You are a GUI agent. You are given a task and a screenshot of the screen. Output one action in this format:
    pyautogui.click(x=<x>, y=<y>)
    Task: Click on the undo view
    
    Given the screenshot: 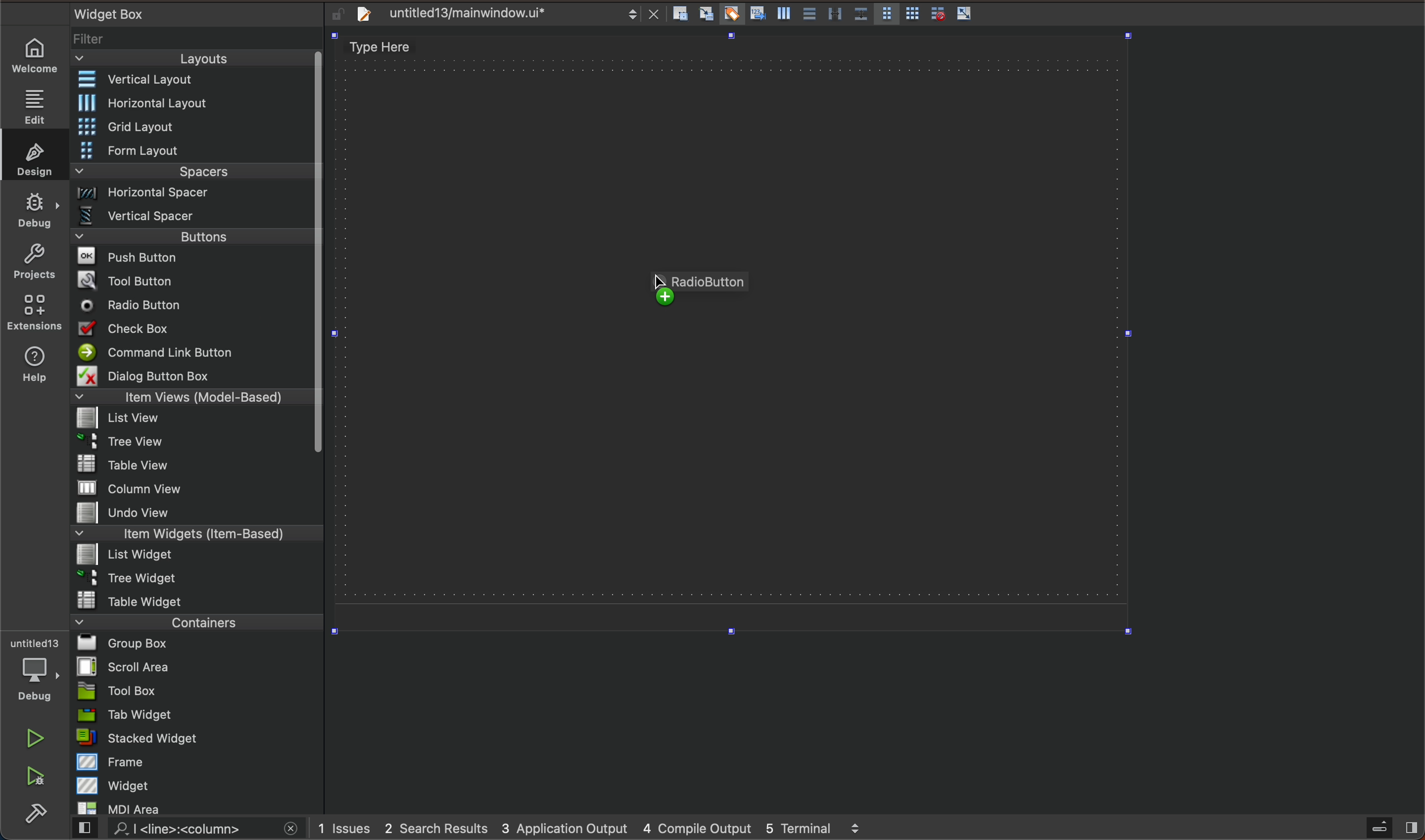 What is the action you would take?
    pyautogui.click(x=197, y=512)
    